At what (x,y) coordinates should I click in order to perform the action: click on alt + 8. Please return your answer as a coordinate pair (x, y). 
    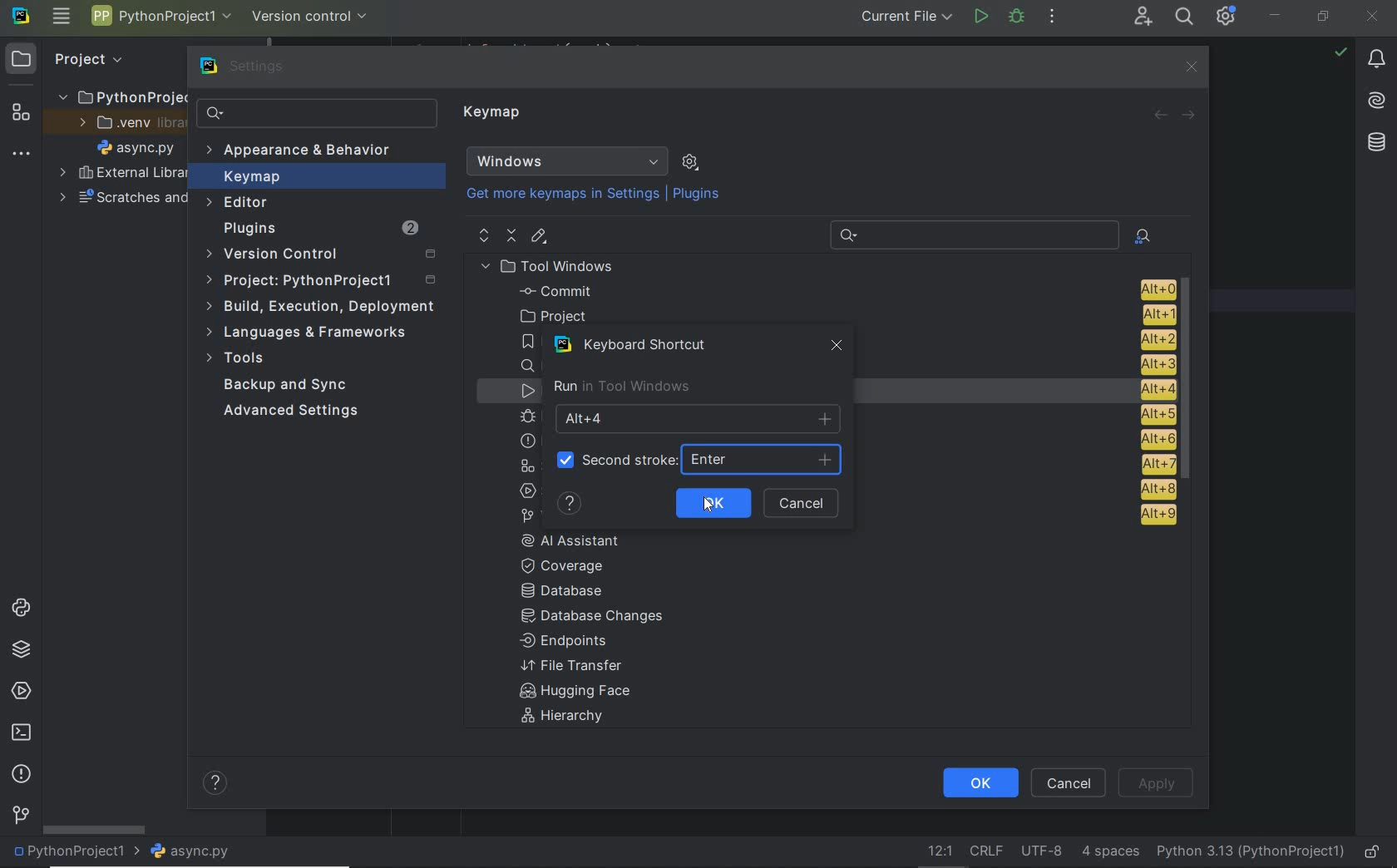
    Looking at the image, I should click on (1157, 489).